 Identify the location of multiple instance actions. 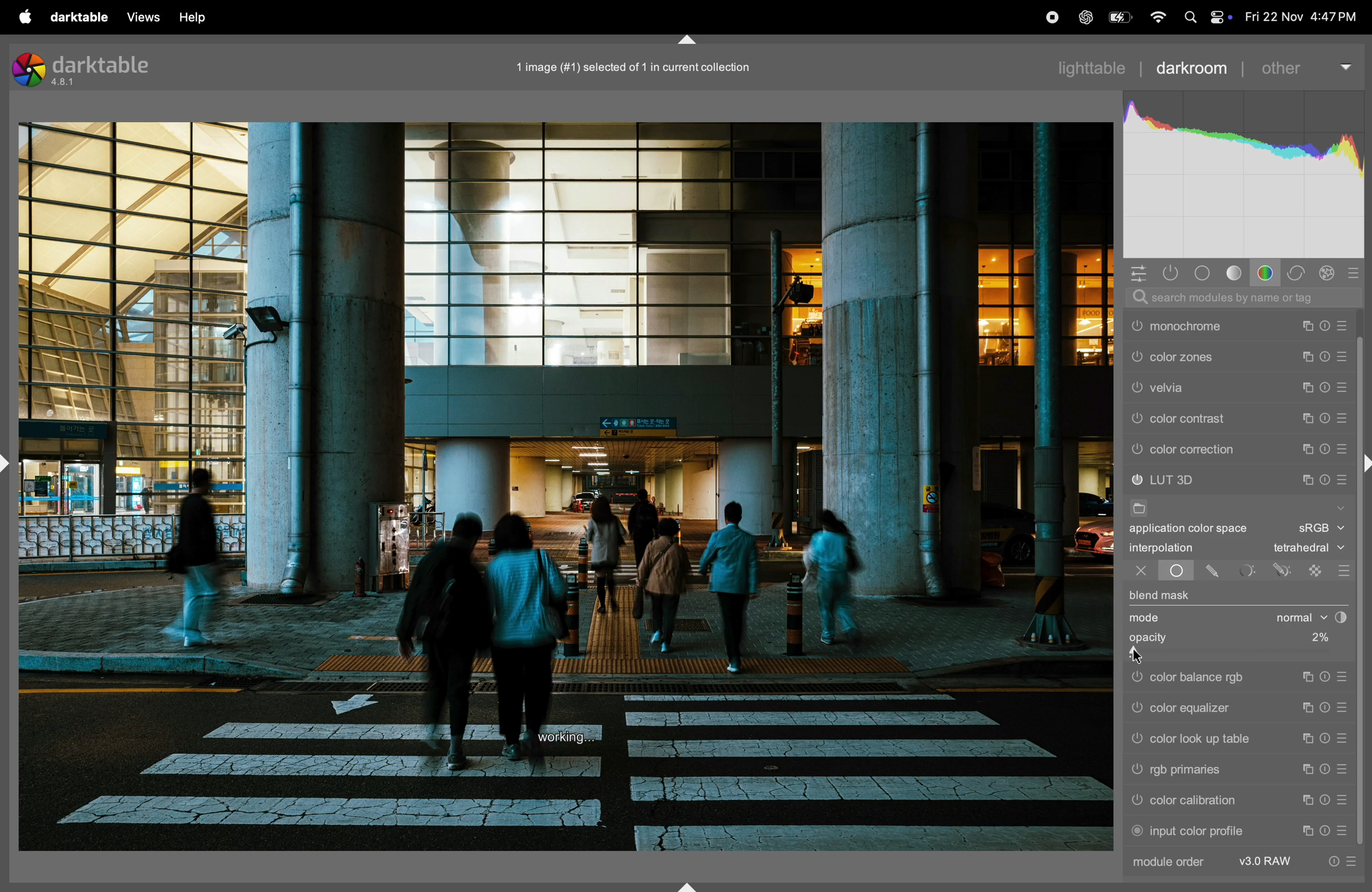
(1307, 769).